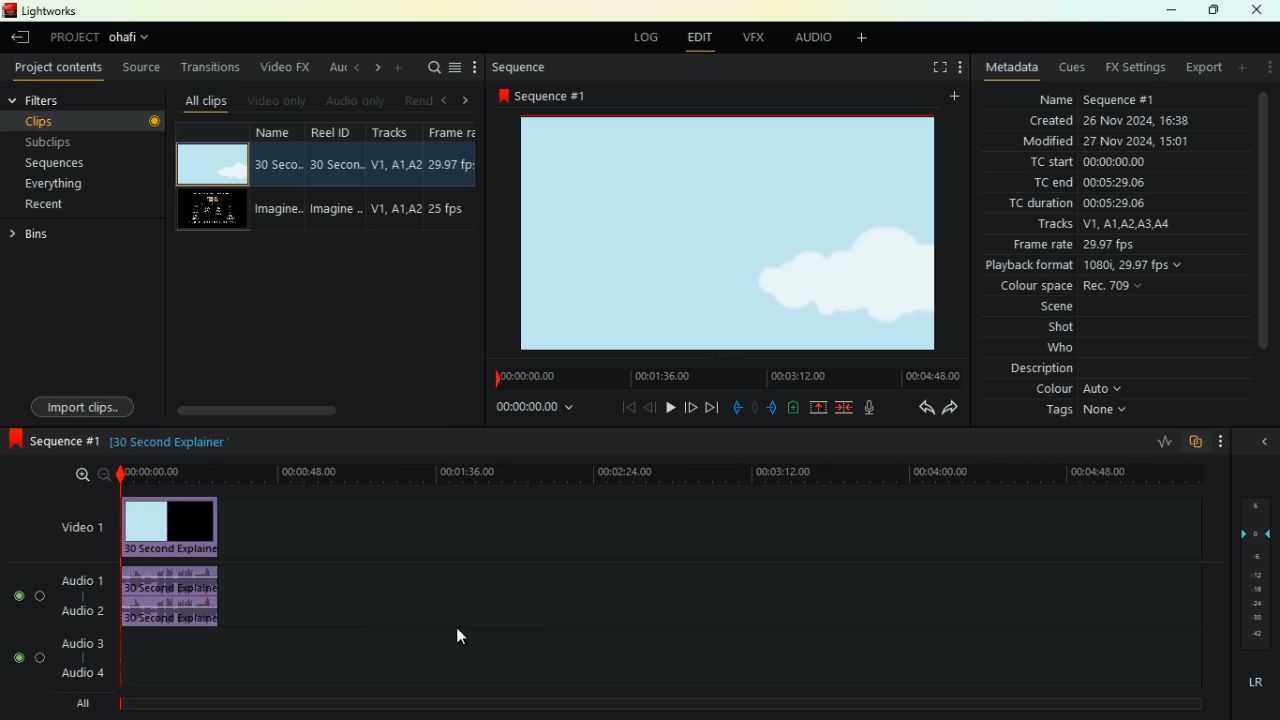 The image size is (1280, 720). What do you see at coordinates (1169, 11) in the screenshot?
I see `minimize` at bounding box center [1169, 11].